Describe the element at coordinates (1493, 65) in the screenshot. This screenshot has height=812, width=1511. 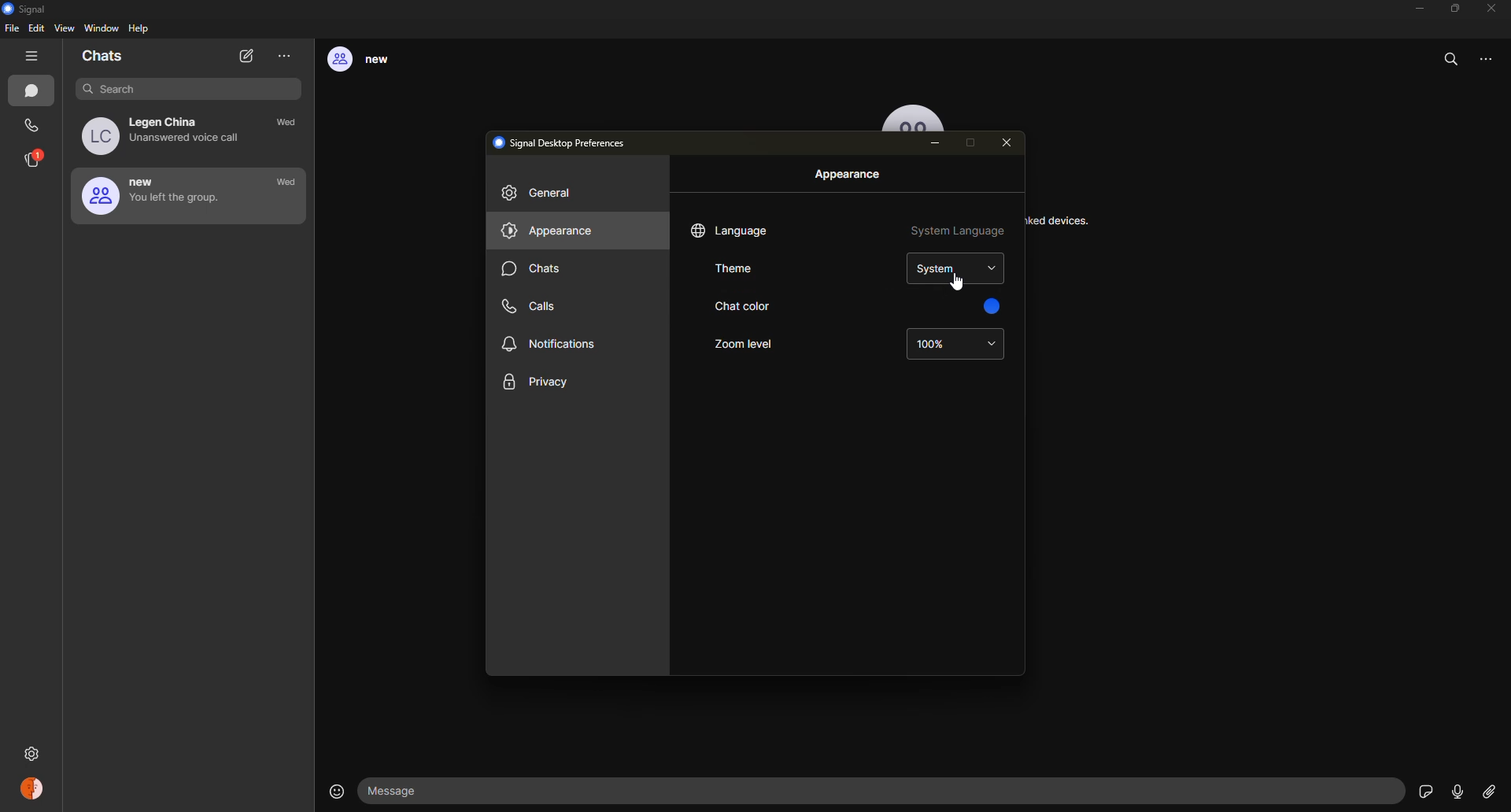
I see `options` at that location.